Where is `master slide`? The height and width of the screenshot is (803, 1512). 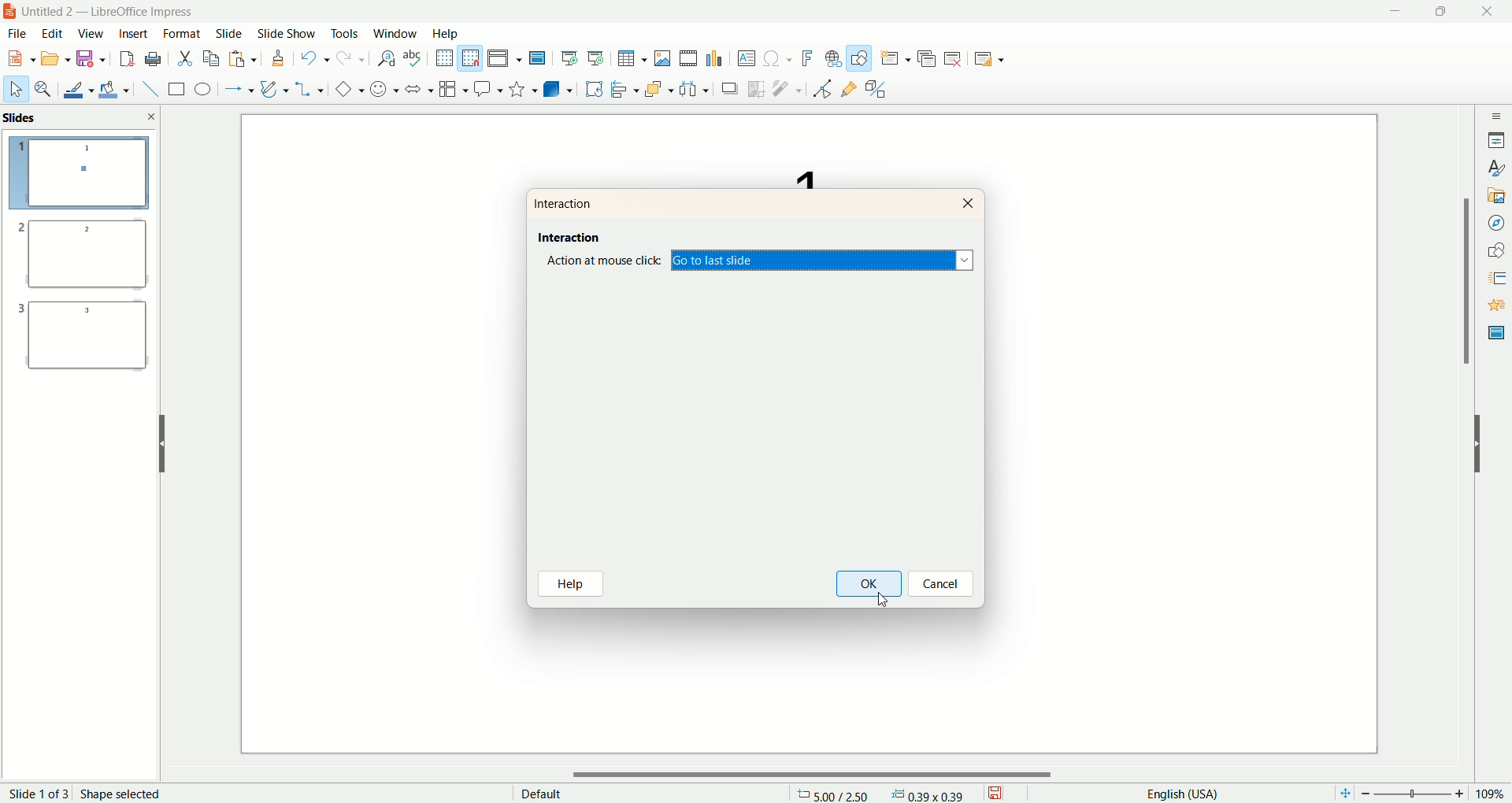
master slide is located at coordinates (539, 58).